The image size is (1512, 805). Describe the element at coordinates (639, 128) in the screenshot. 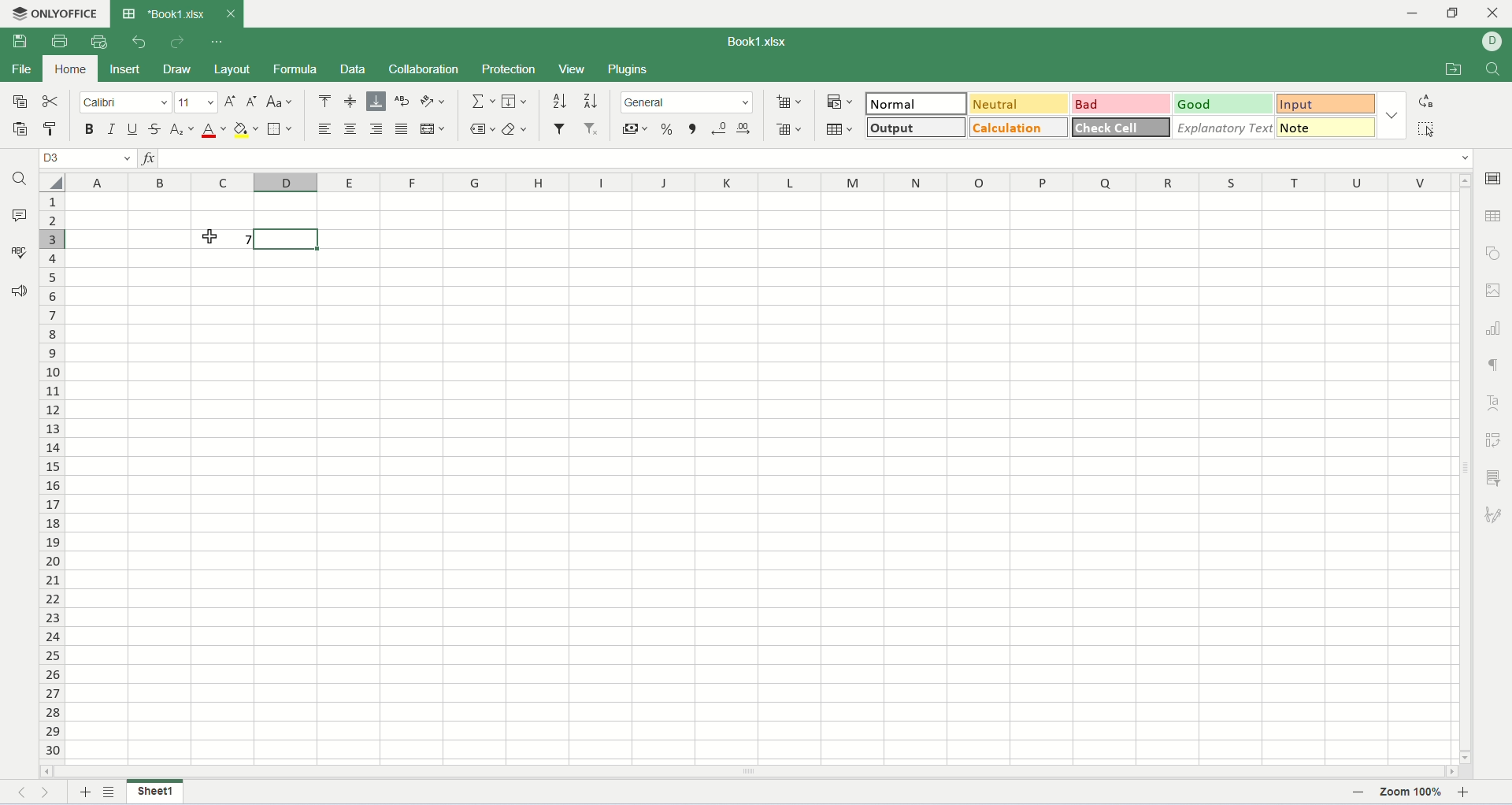

I see `currency style` at that location.